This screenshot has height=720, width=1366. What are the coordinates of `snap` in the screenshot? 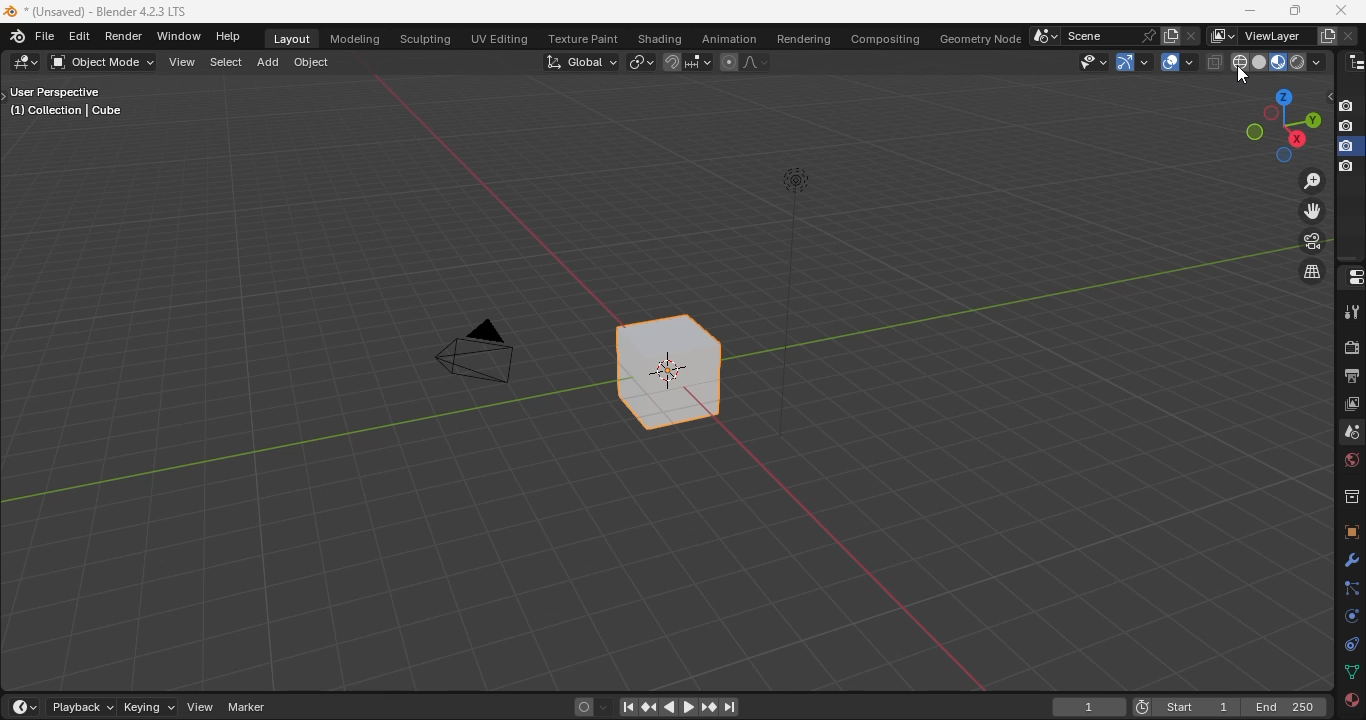 It's located at (674, 62).